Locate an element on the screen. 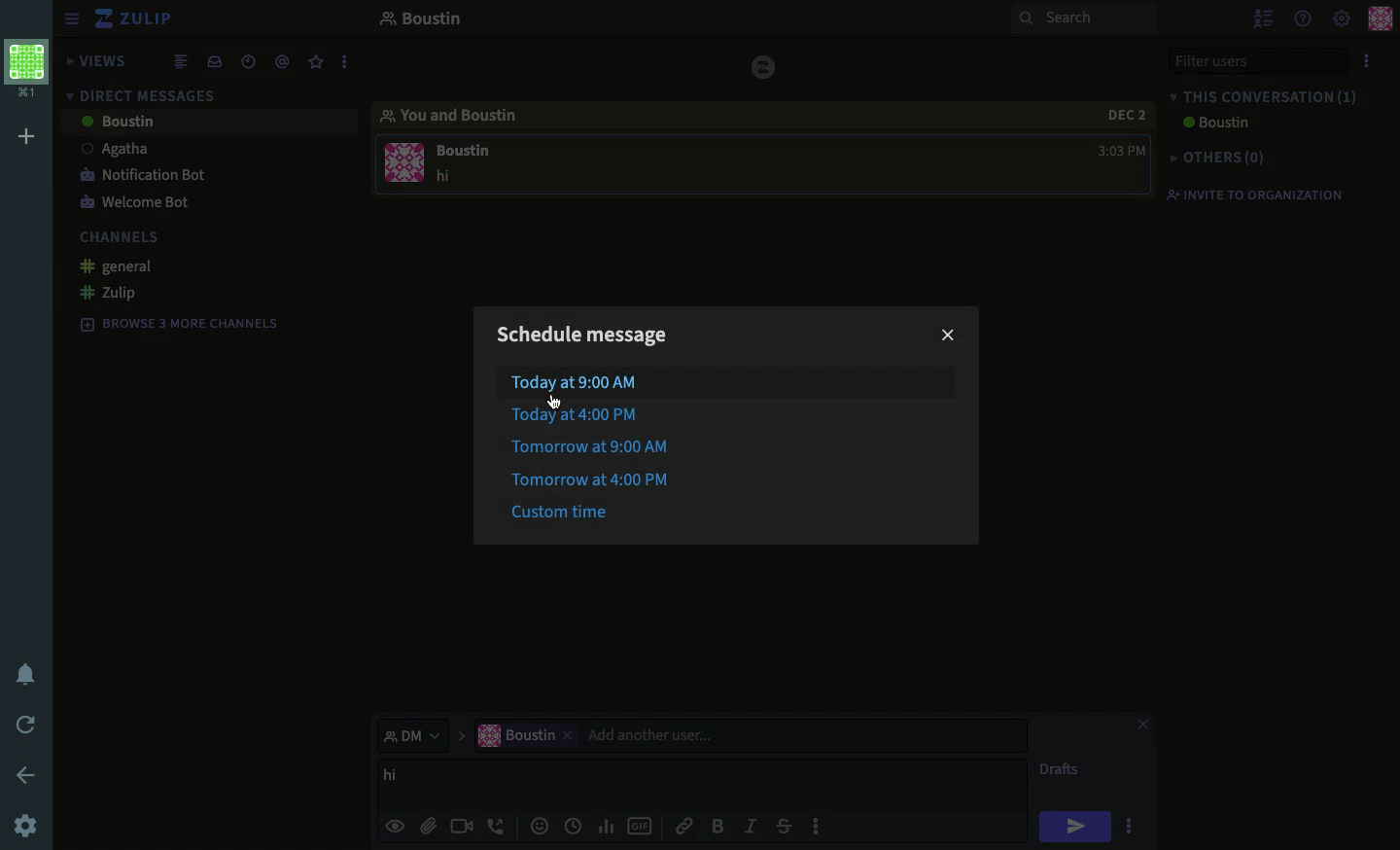 This screenshot has height=850, width=1400. browse 3 more channels is located at coordinates (181, 324).